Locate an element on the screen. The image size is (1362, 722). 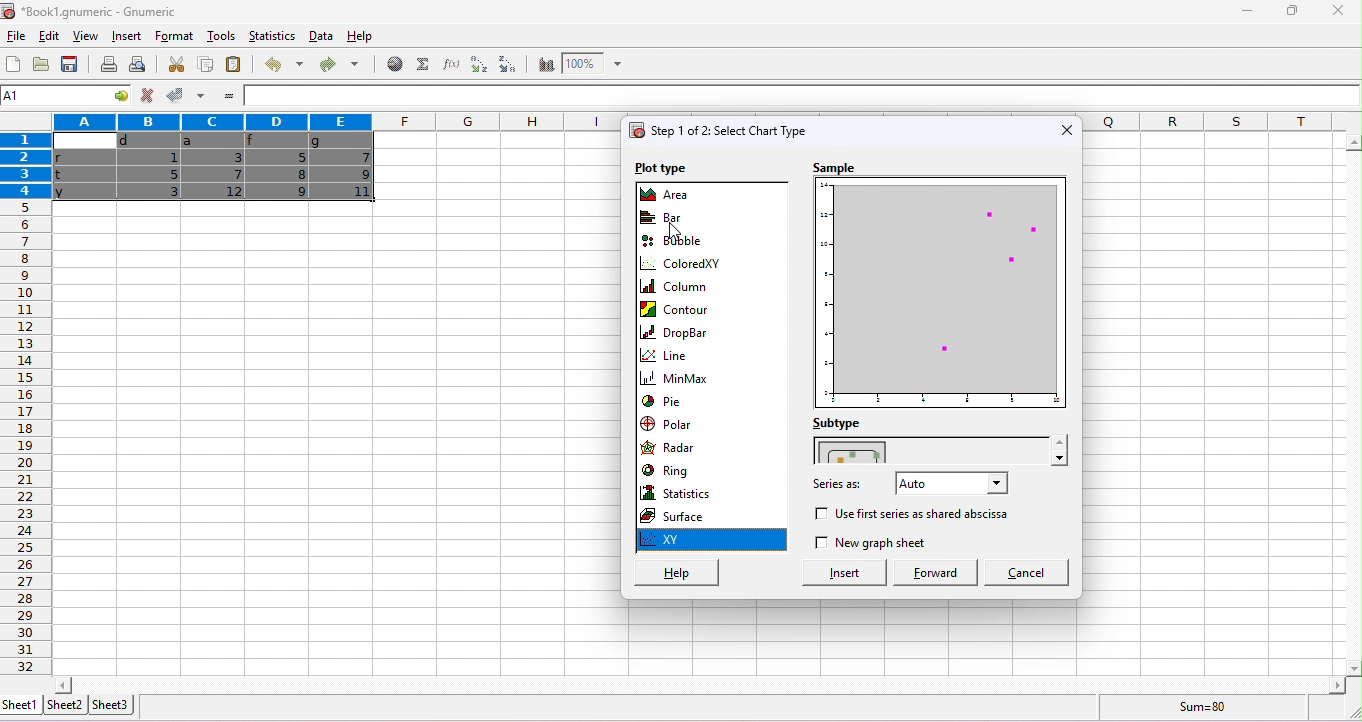
data is located at coordinates (320, 36).